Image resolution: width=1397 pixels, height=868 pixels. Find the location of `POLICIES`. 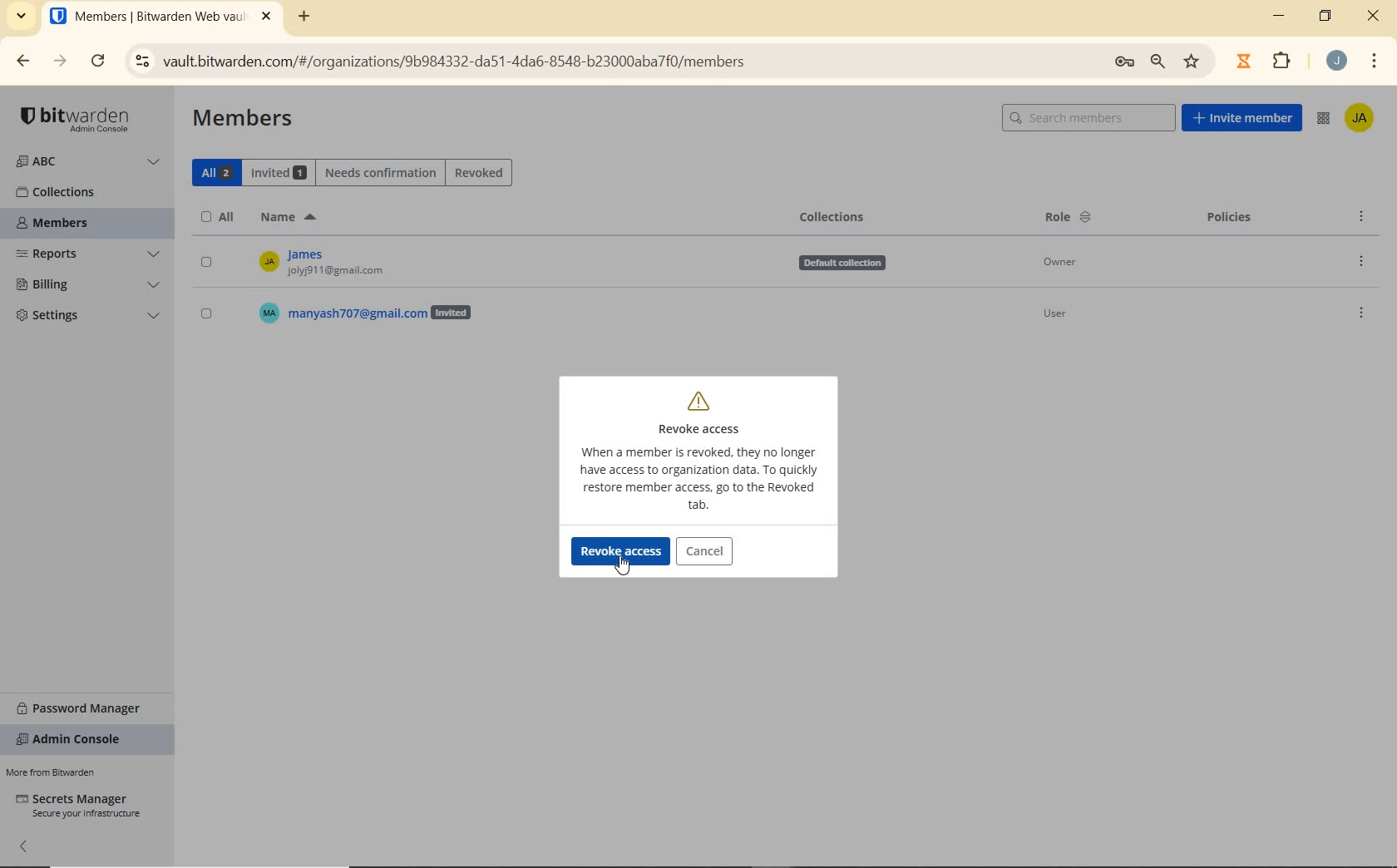

POLICIES is located at coordinates (1232, 219).